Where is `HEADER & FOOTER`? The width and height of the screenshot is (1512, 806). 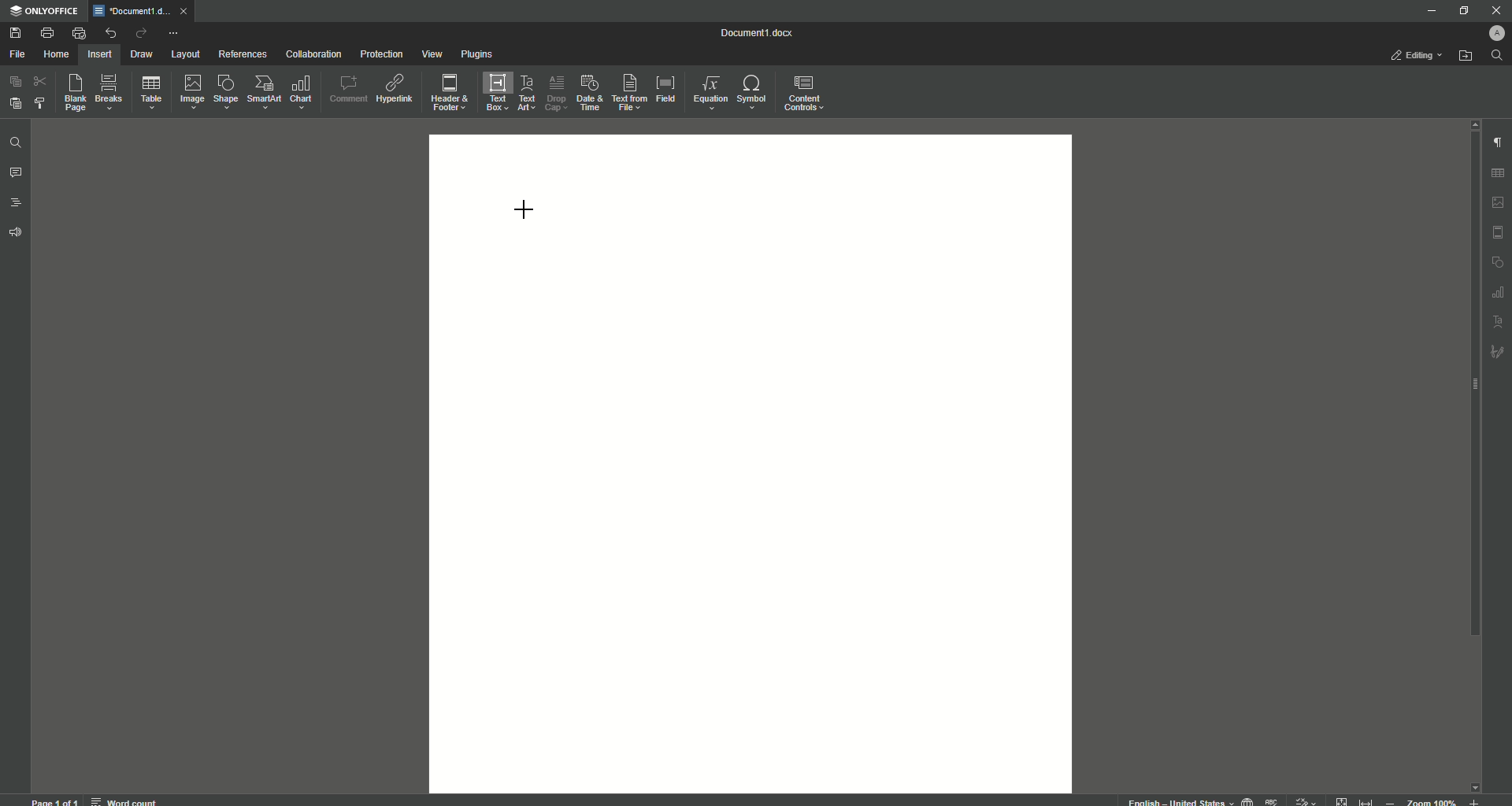
HEADER & FOOTER is located at coordinates (1498, 233).